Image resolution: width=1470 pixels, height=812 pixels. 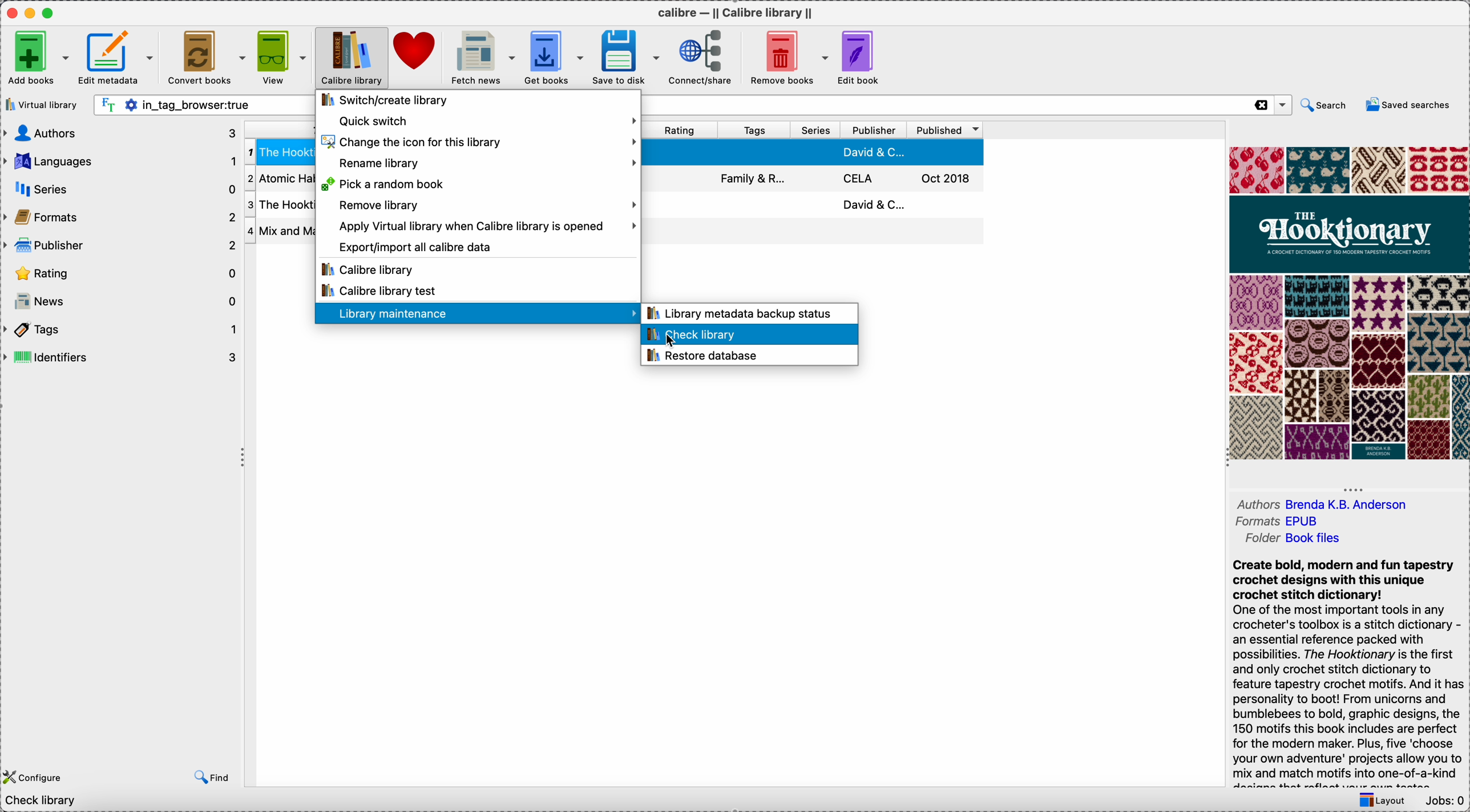 I want to click on second book, so click(x=819, y=179).